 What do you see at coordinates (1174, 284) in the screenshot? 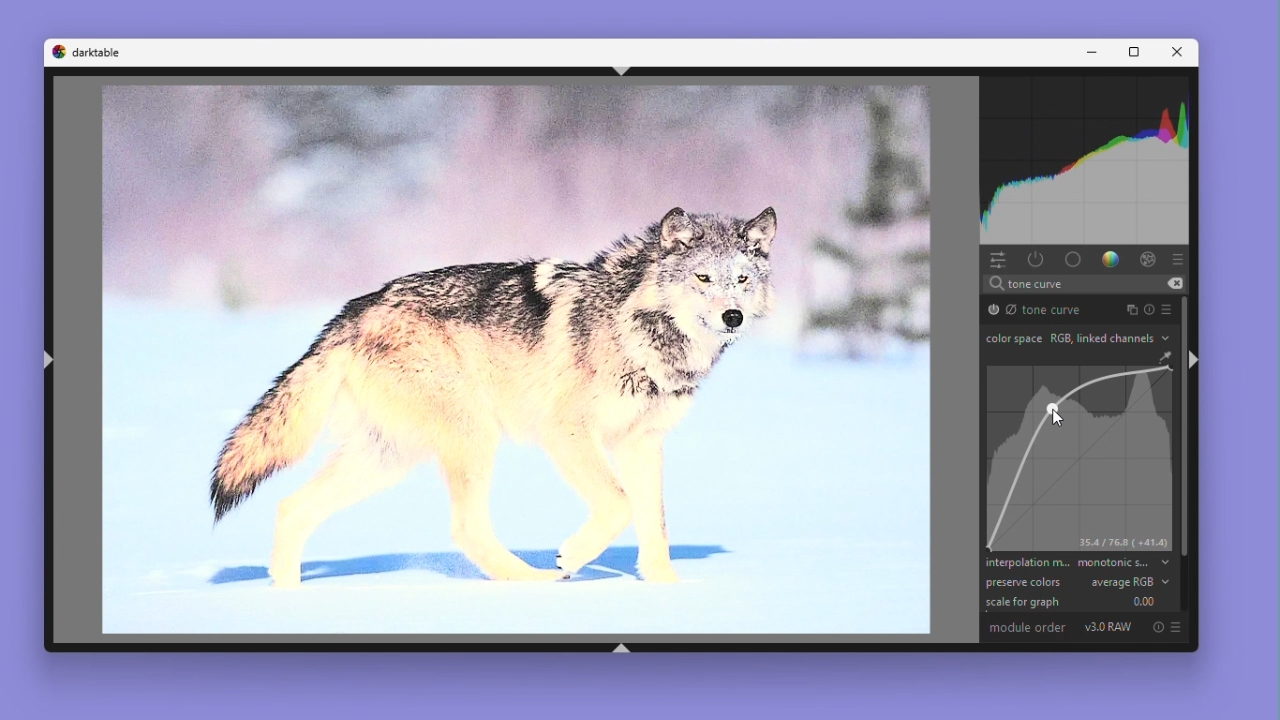
I see `erase` at bounding box center [1174, 284].